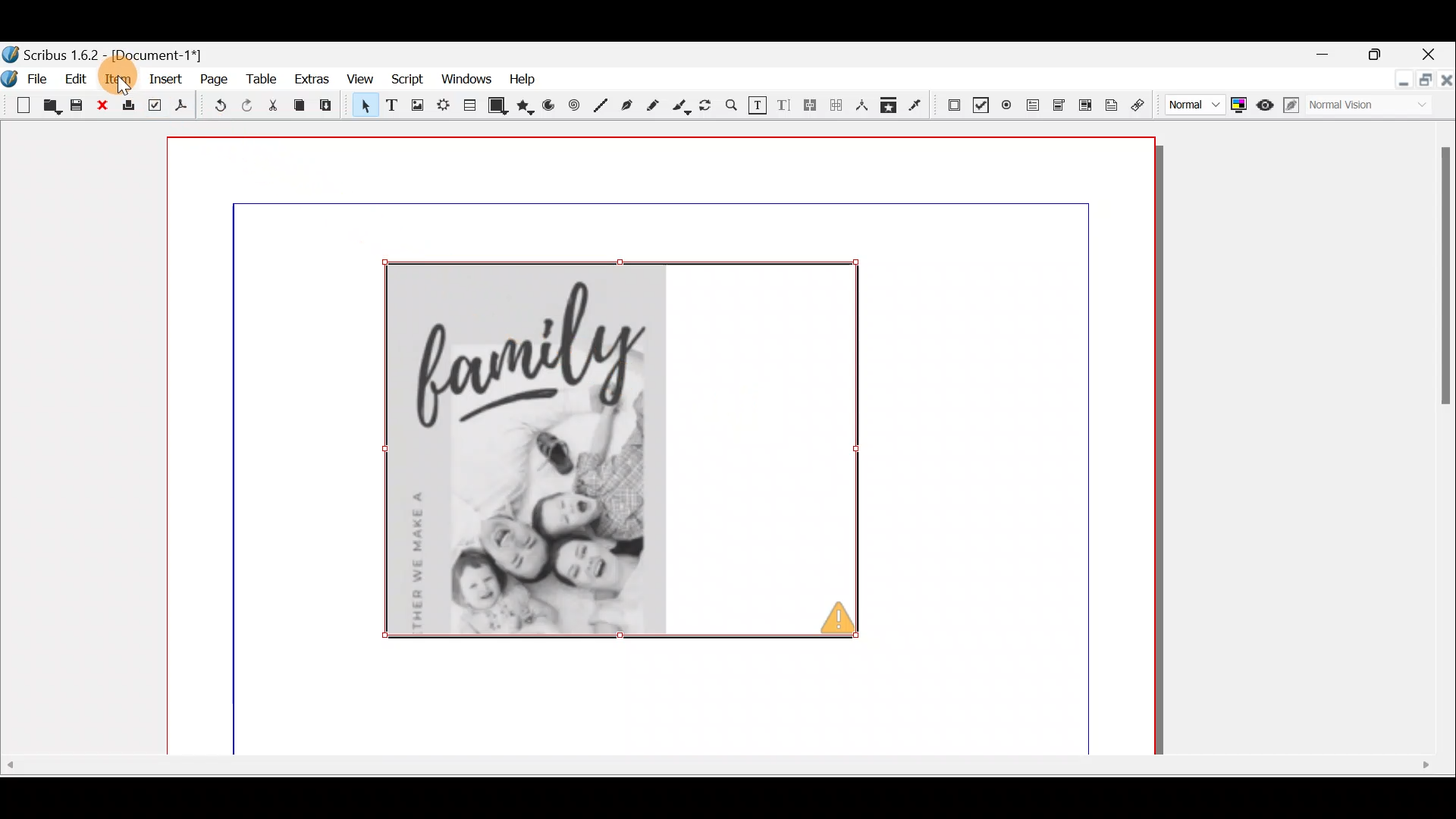 Image resolution: width=1456 pixels, height=819 pixels. Describe the element at coordinates (656, 449) in the screenshot. I see `Canvas` at that location.